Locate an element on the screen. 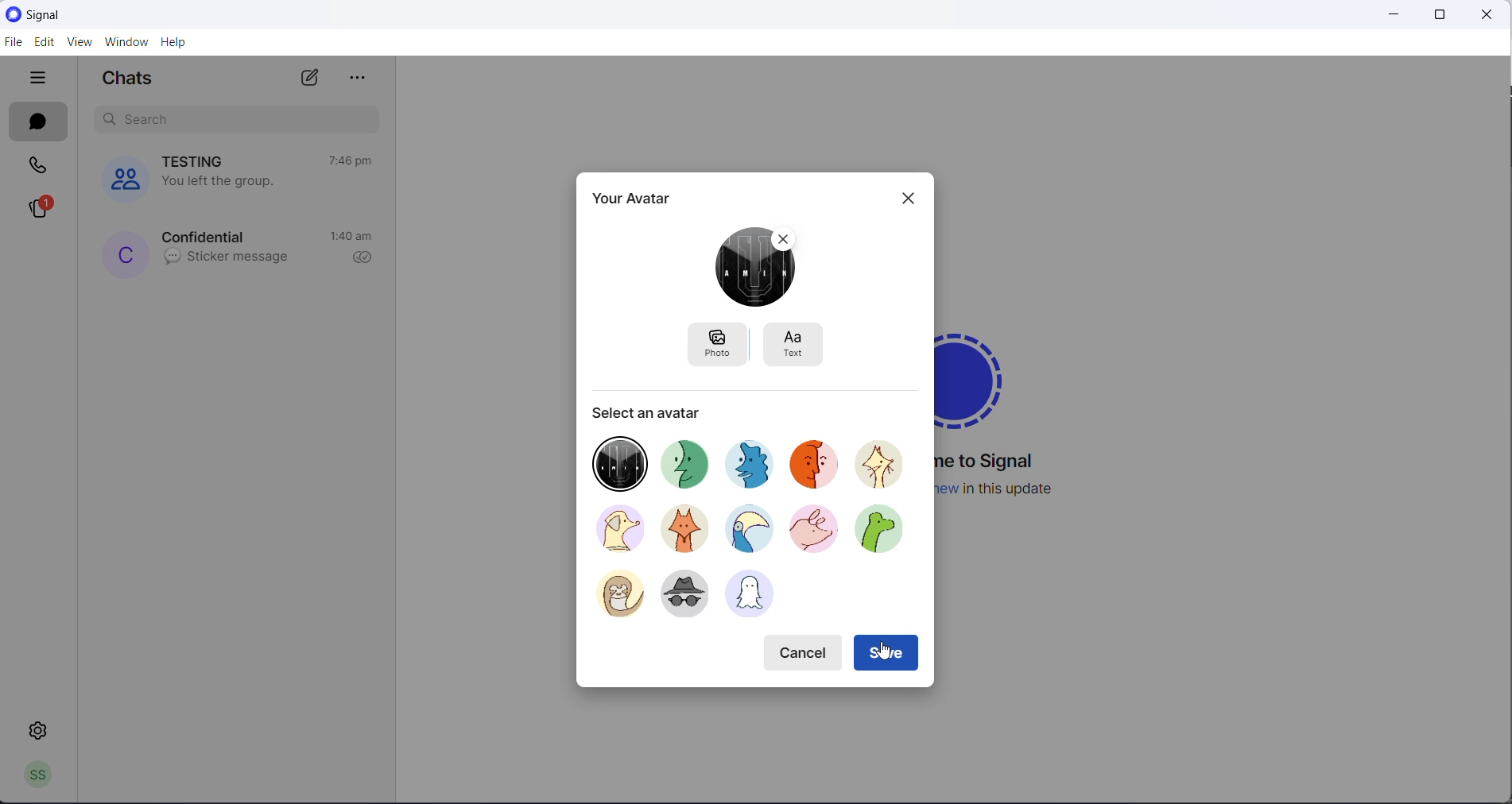 The height and width of the screenshot is (804, 1512). last active time is located at coordinates (353, 238).